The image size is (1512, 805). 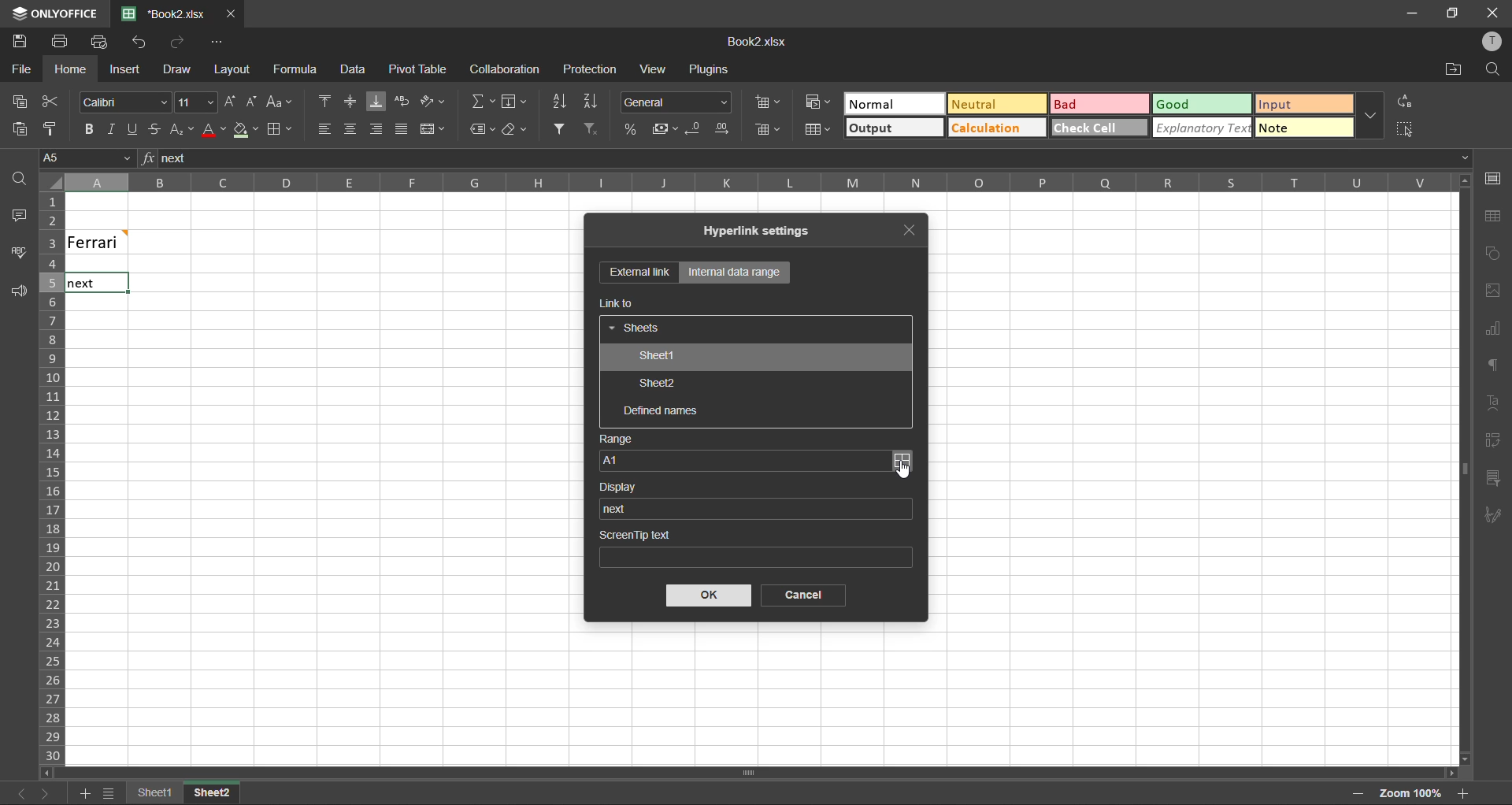 What do you see at coordinates (733, 273) in the screenshot?
I see `internal data range` at bounding box center [733, 273].